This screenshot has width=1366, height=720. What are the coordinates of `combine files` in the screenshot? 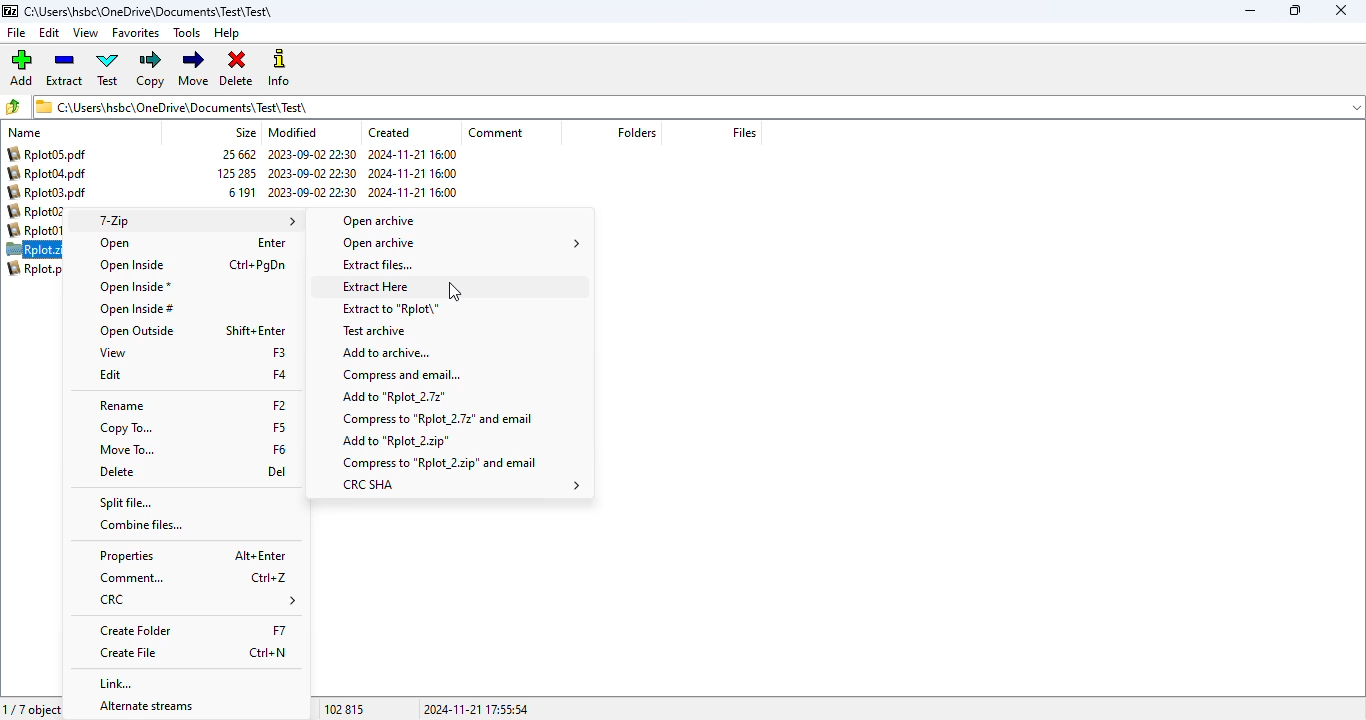 It's located at (140, 525).